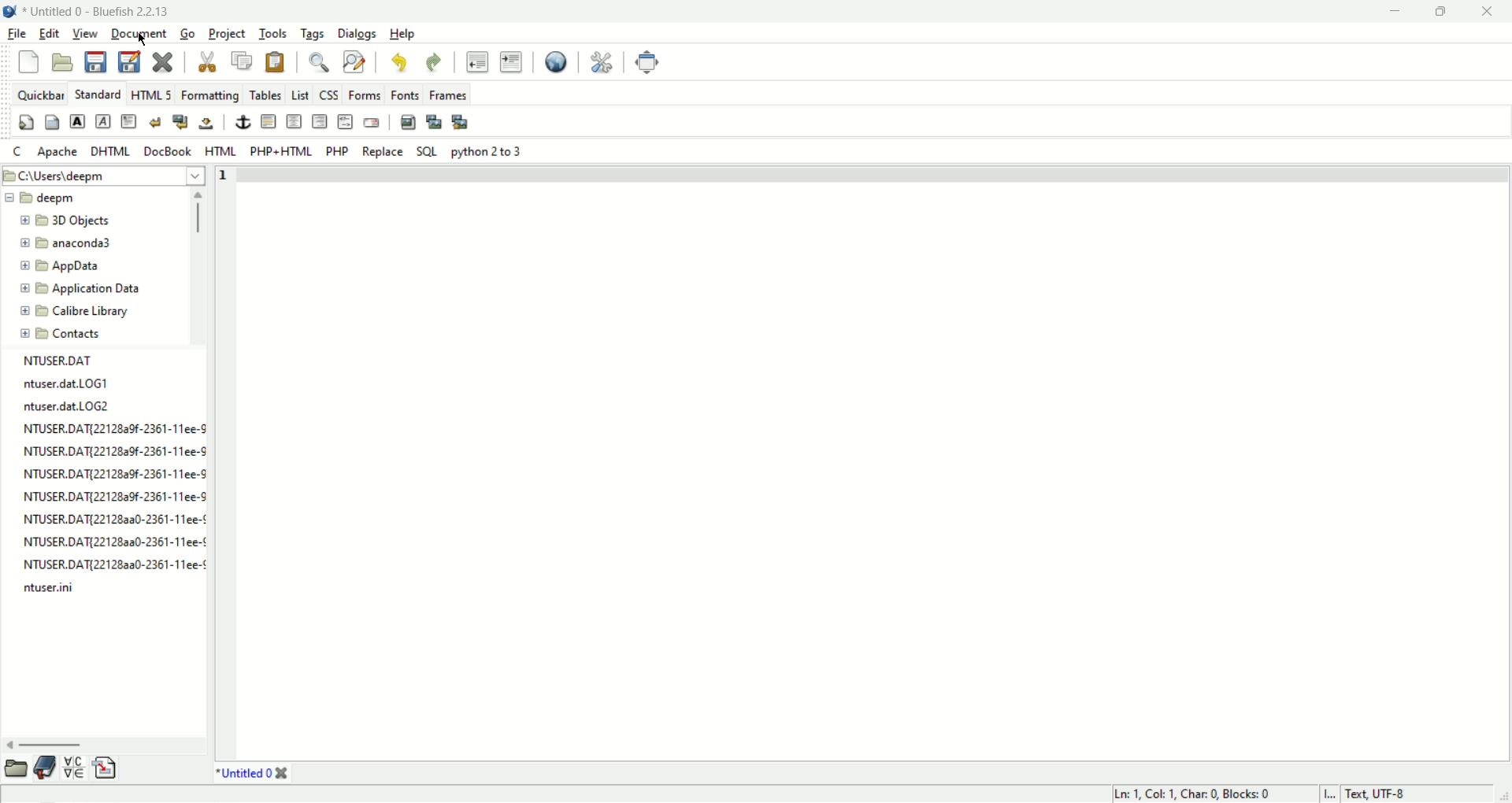 Image resolution: width=1512 pixels, height=803 pixels. I want to click on find, so click(321, 62).